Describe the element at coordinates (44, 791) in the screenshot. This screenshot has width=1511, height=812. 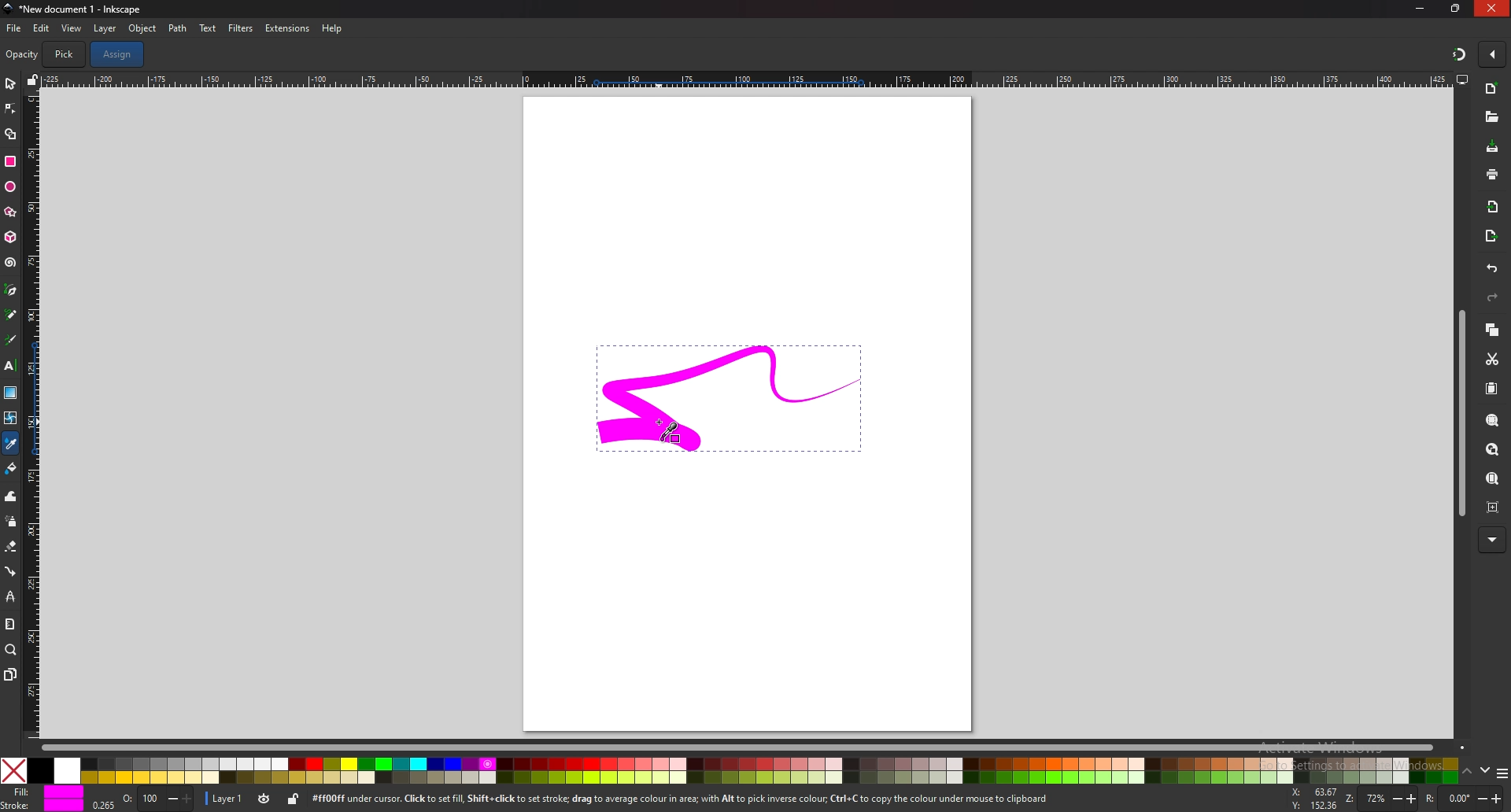
I see `fill` at that location.